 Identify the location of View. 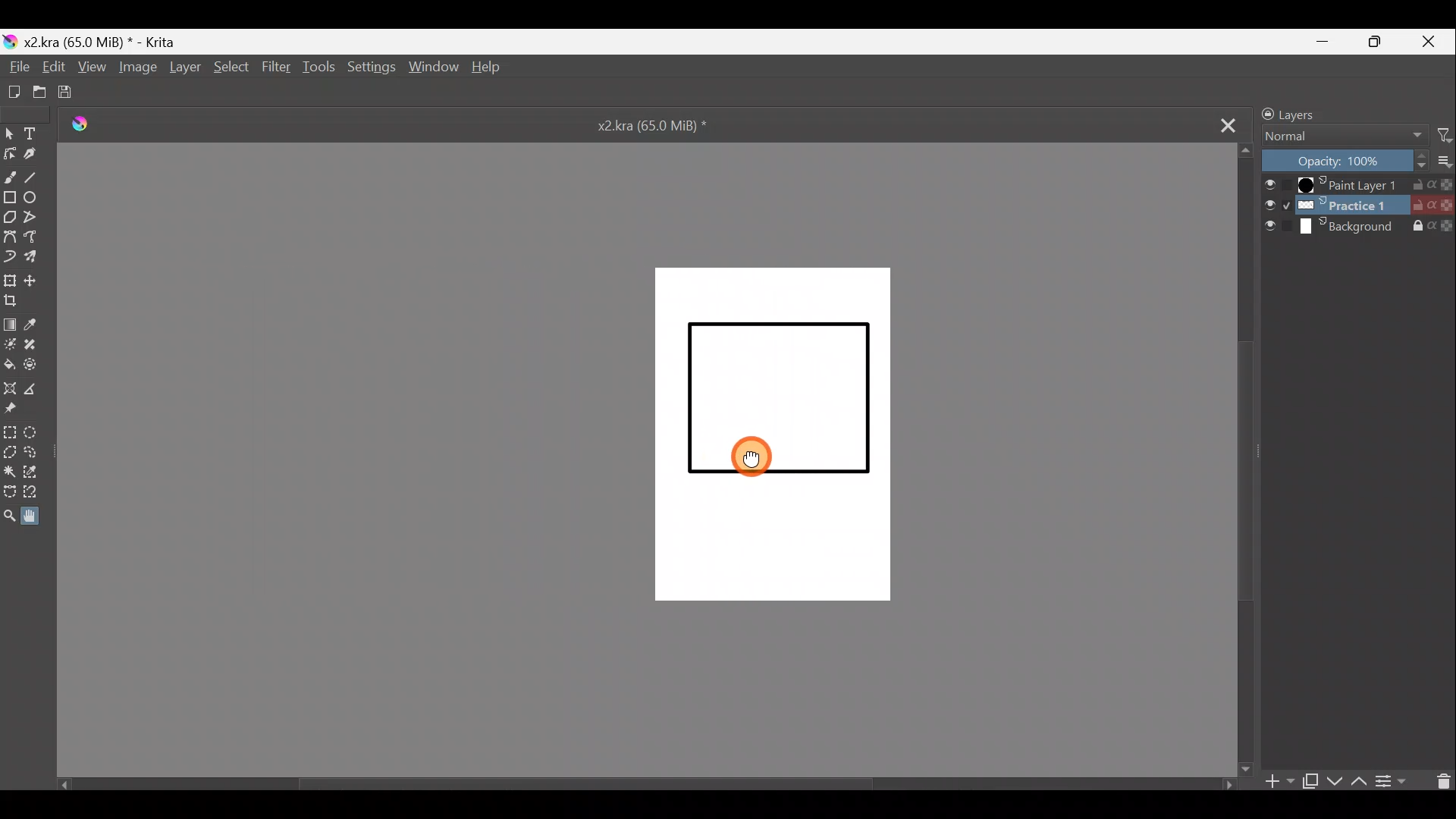
(90, 67).